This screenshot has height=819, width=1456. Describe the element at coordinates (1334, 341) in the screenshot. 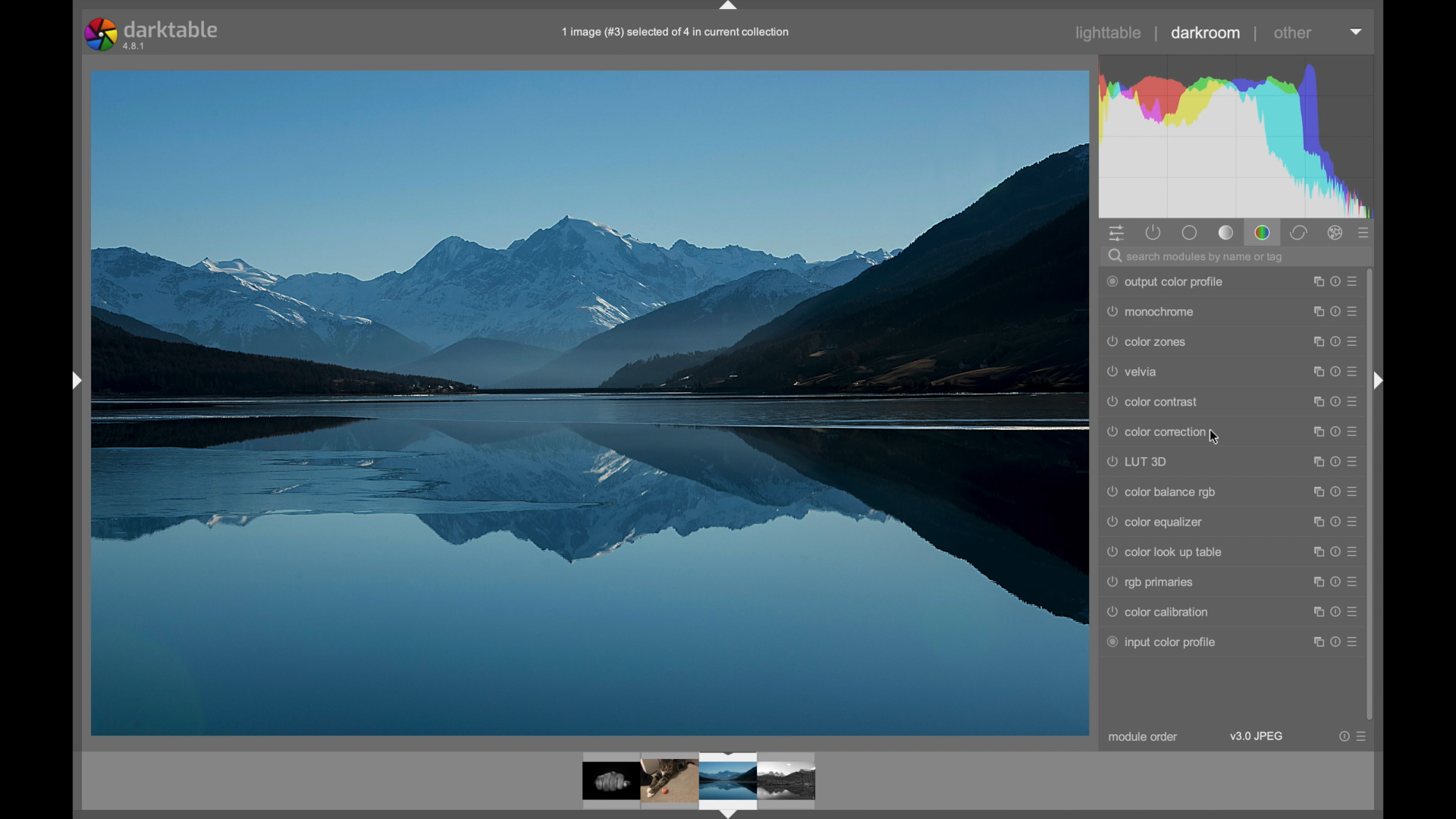

I see `more options` at that location.